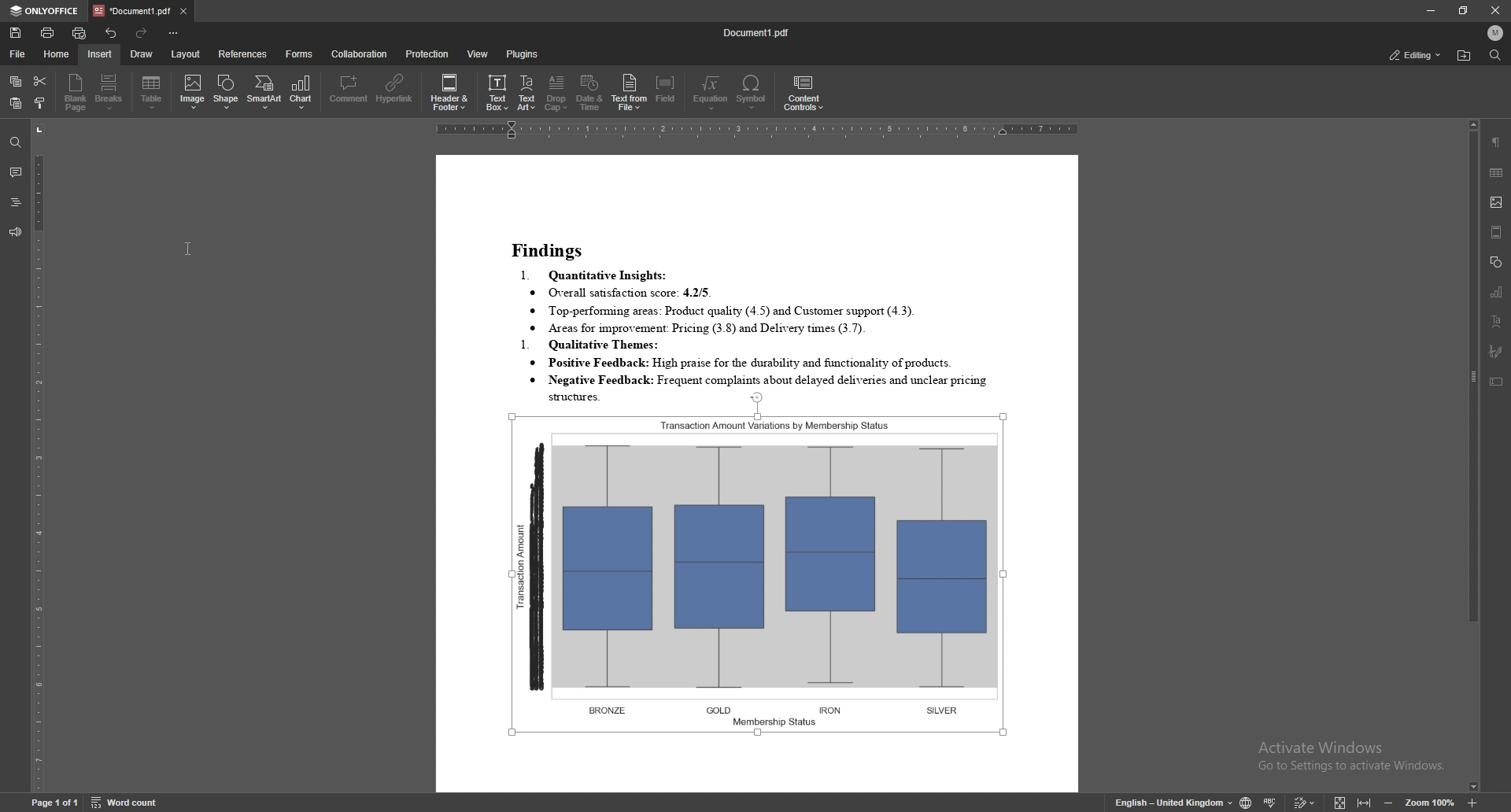 Image resolution: width=1511 pixels, height=812 pixels. What do you see at coordinates (16, 203) in the screenshot?
I see `headings` at bounding box center [16, 203].